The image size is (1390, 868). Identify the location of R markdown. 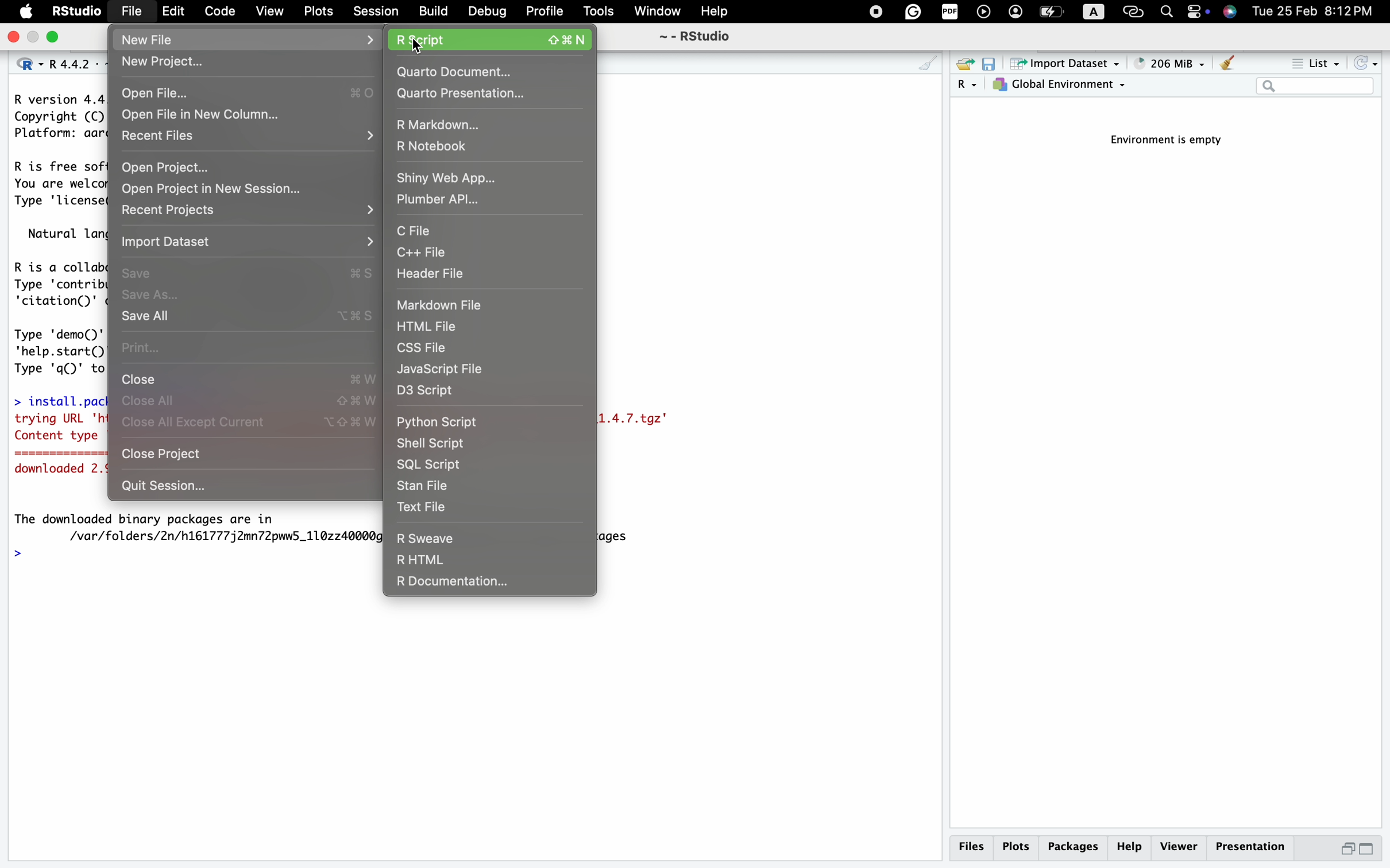
(488, 122).